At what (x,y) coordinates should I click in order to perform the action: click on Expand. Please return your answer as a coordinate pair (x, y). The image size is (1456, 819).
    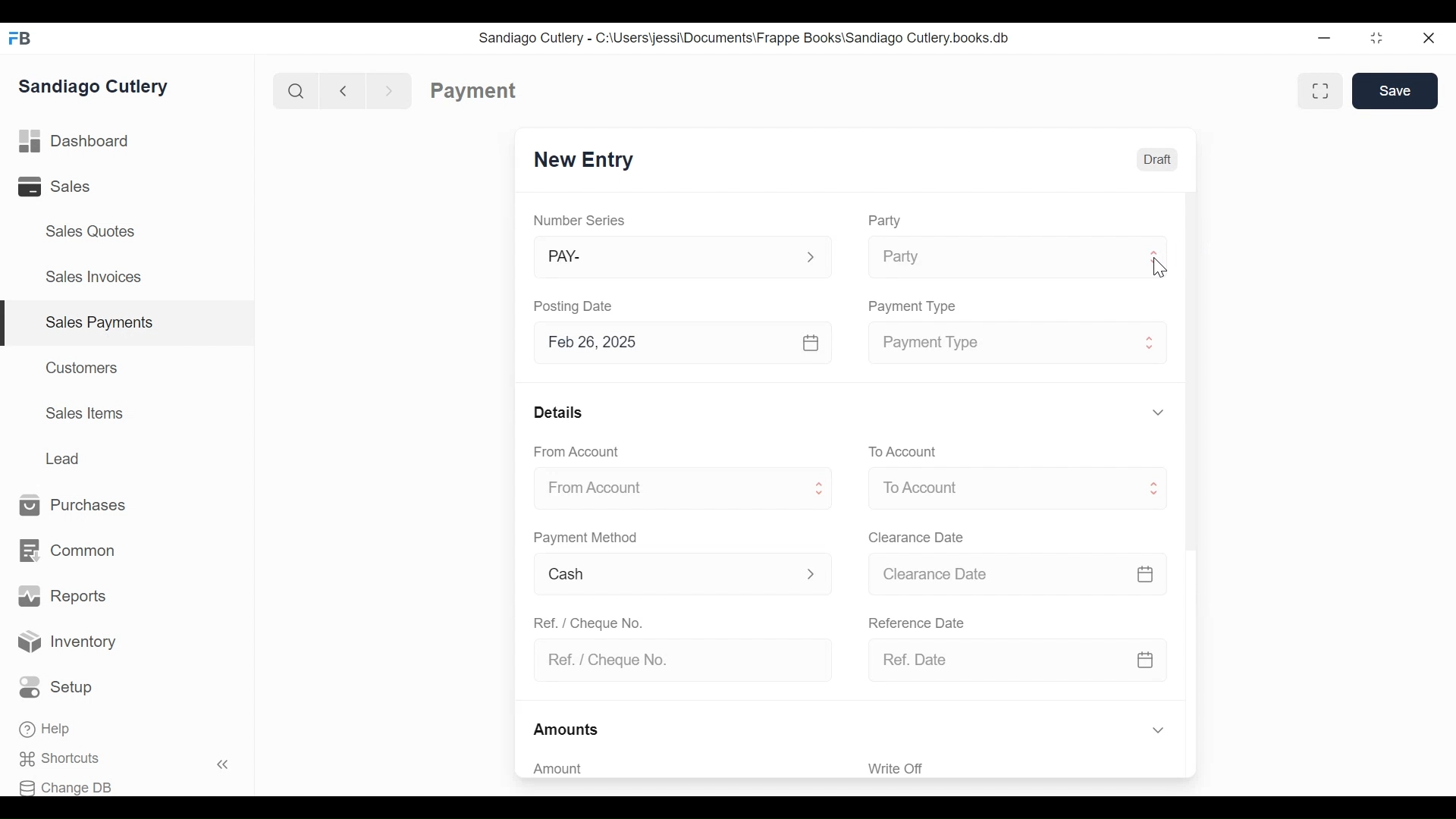
    Looking at the image, I should click on (1151, 340).